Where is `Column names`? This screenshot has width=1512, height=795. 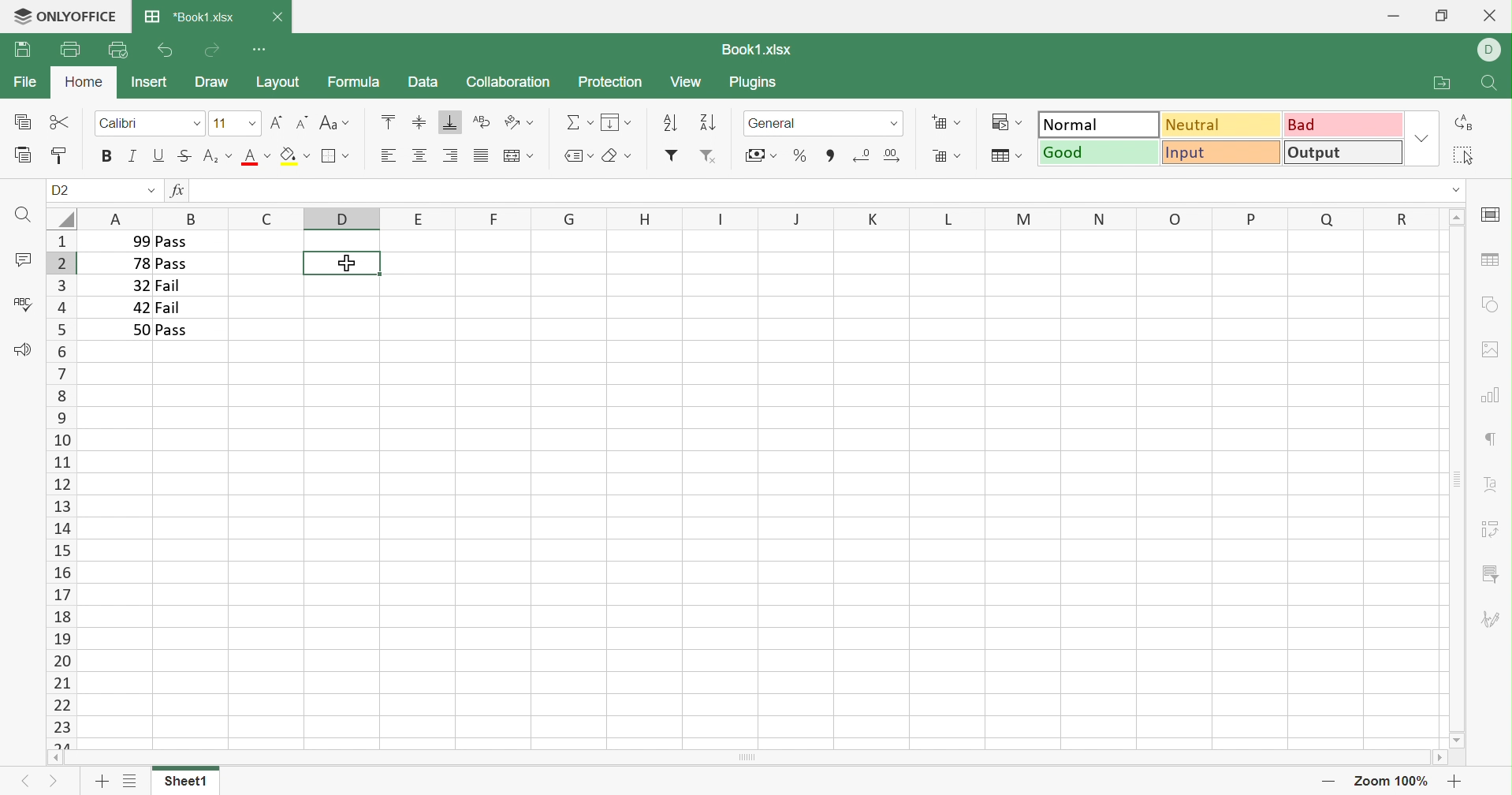
Column names is located at coordinates (761, 218).